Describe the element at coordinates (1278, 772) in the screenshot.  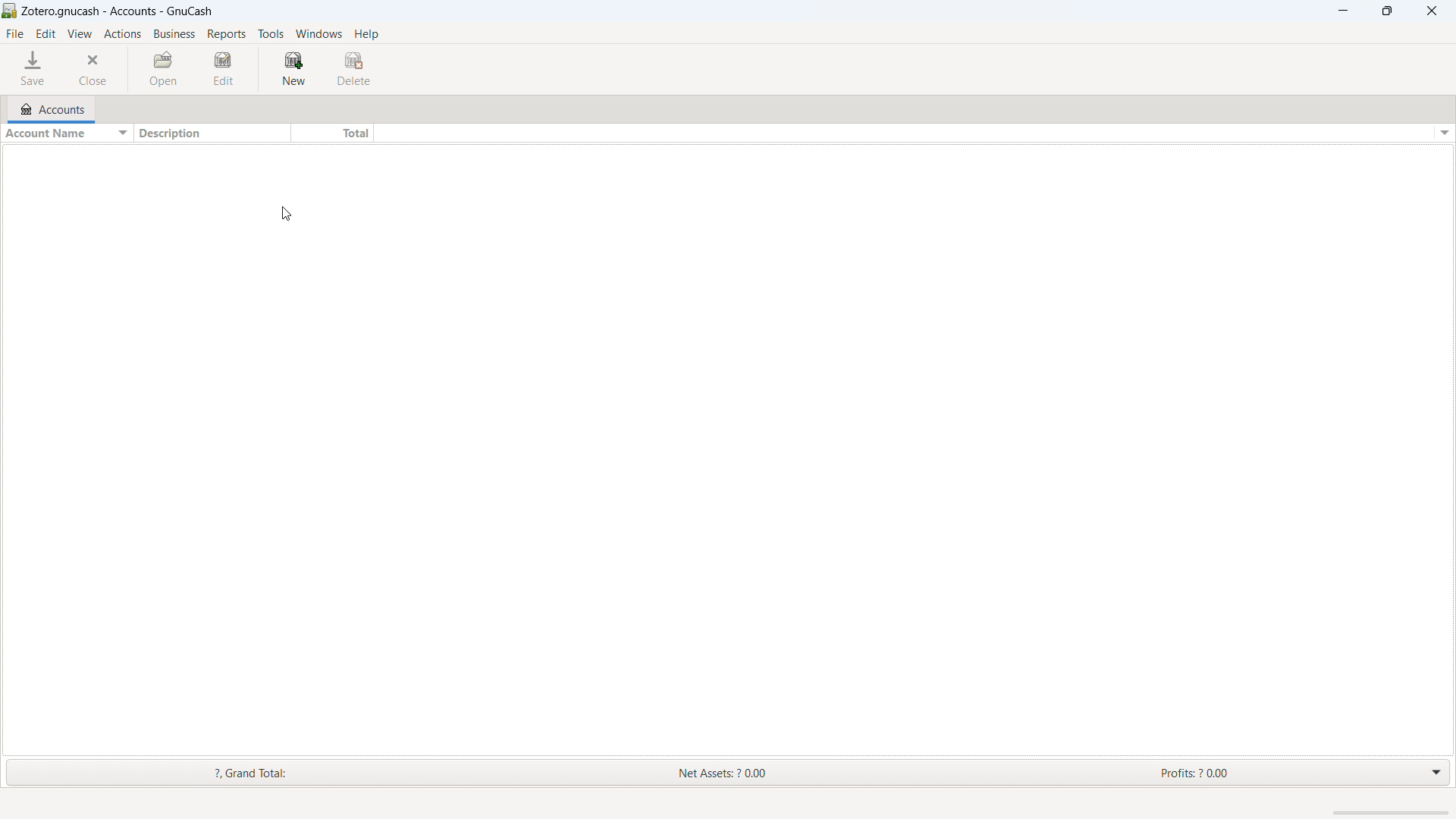
I see `Profits: 2 0.00` at that location.